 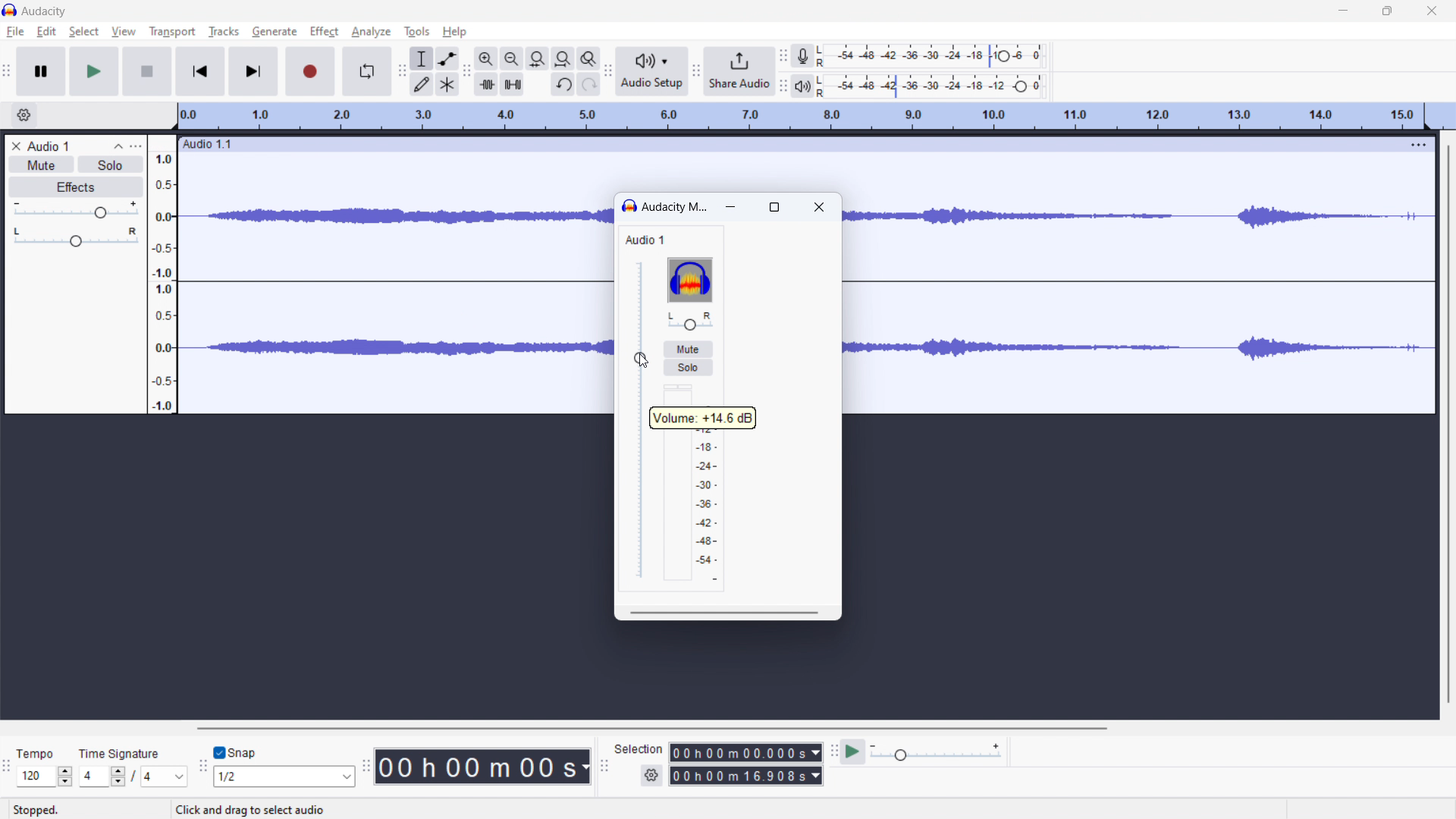 I want to click on tools, so click(x=417, y=32).